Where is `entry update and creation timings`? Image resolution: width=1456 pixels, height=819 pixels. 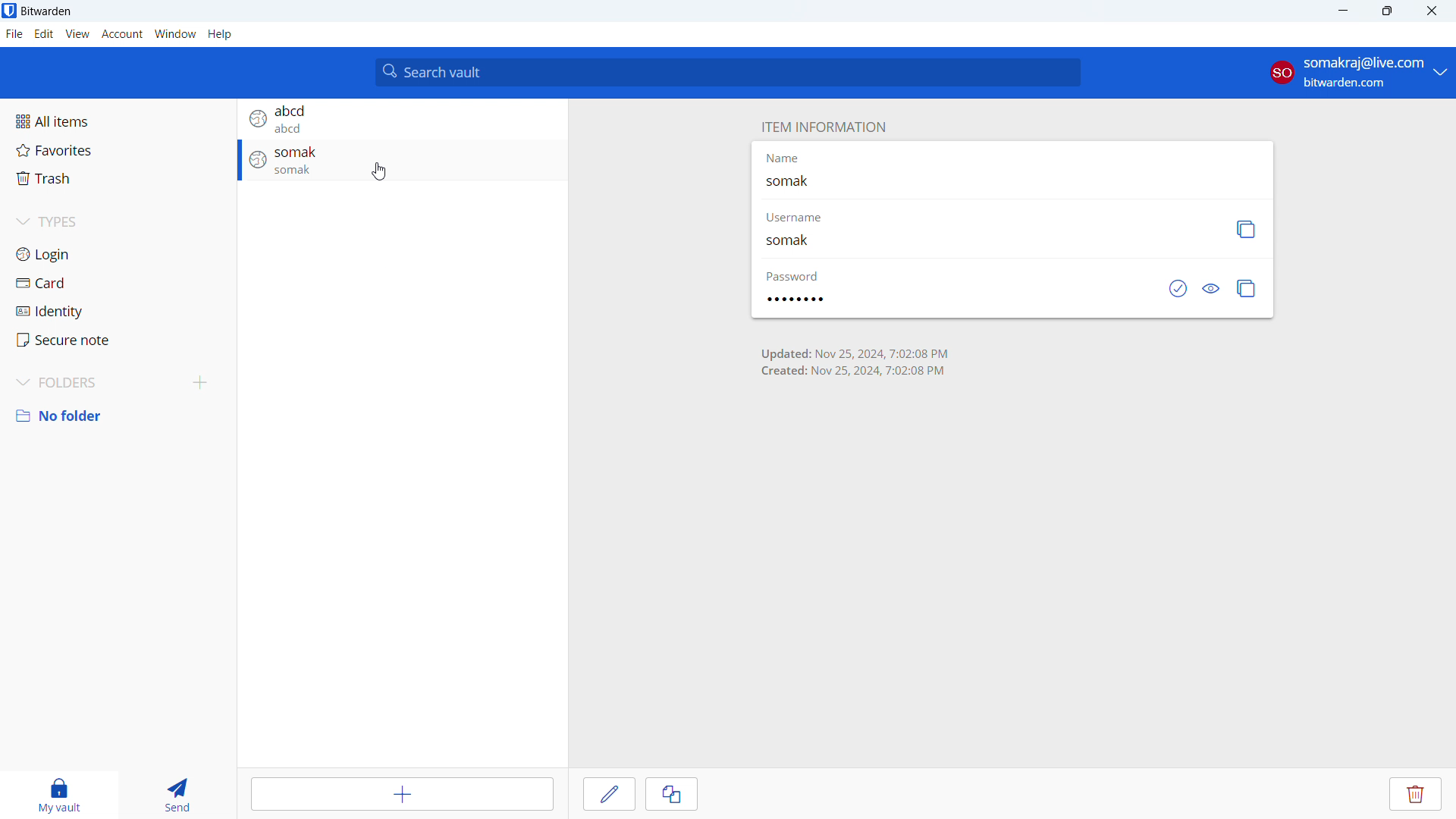 entry update and creation timings is located at coordinates (855, 362).